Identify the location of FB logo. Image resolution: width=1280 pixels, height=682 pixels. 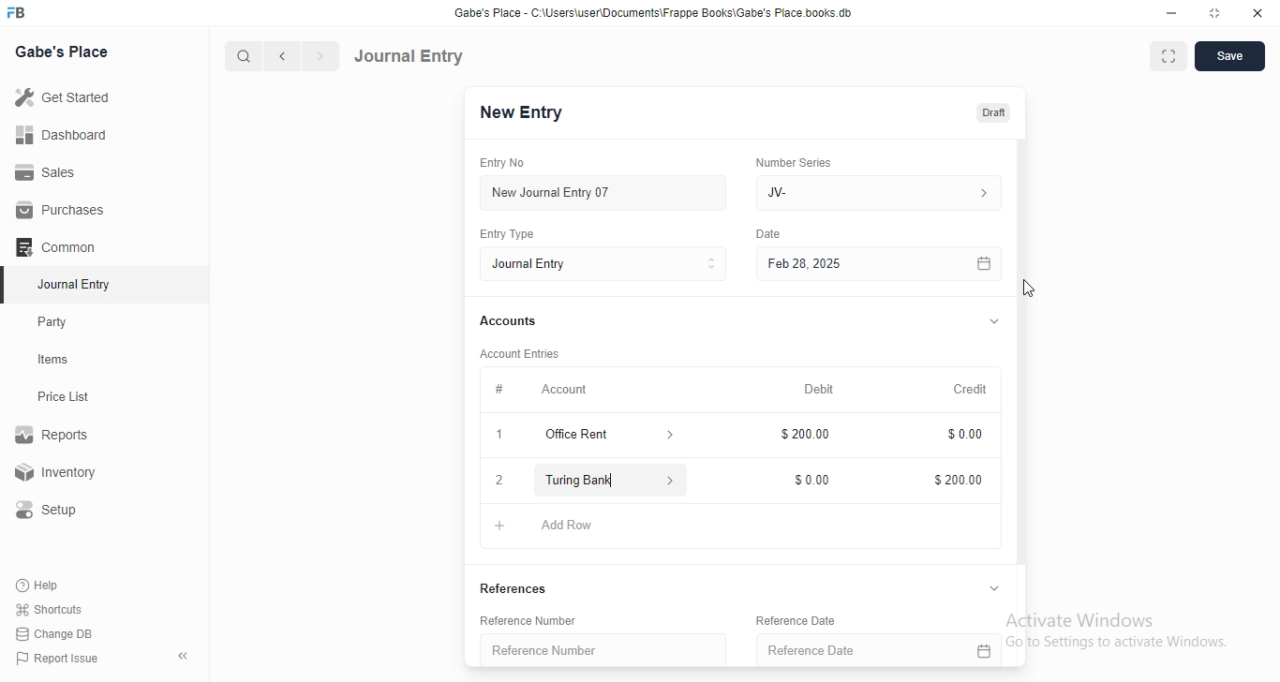
(18, 13).